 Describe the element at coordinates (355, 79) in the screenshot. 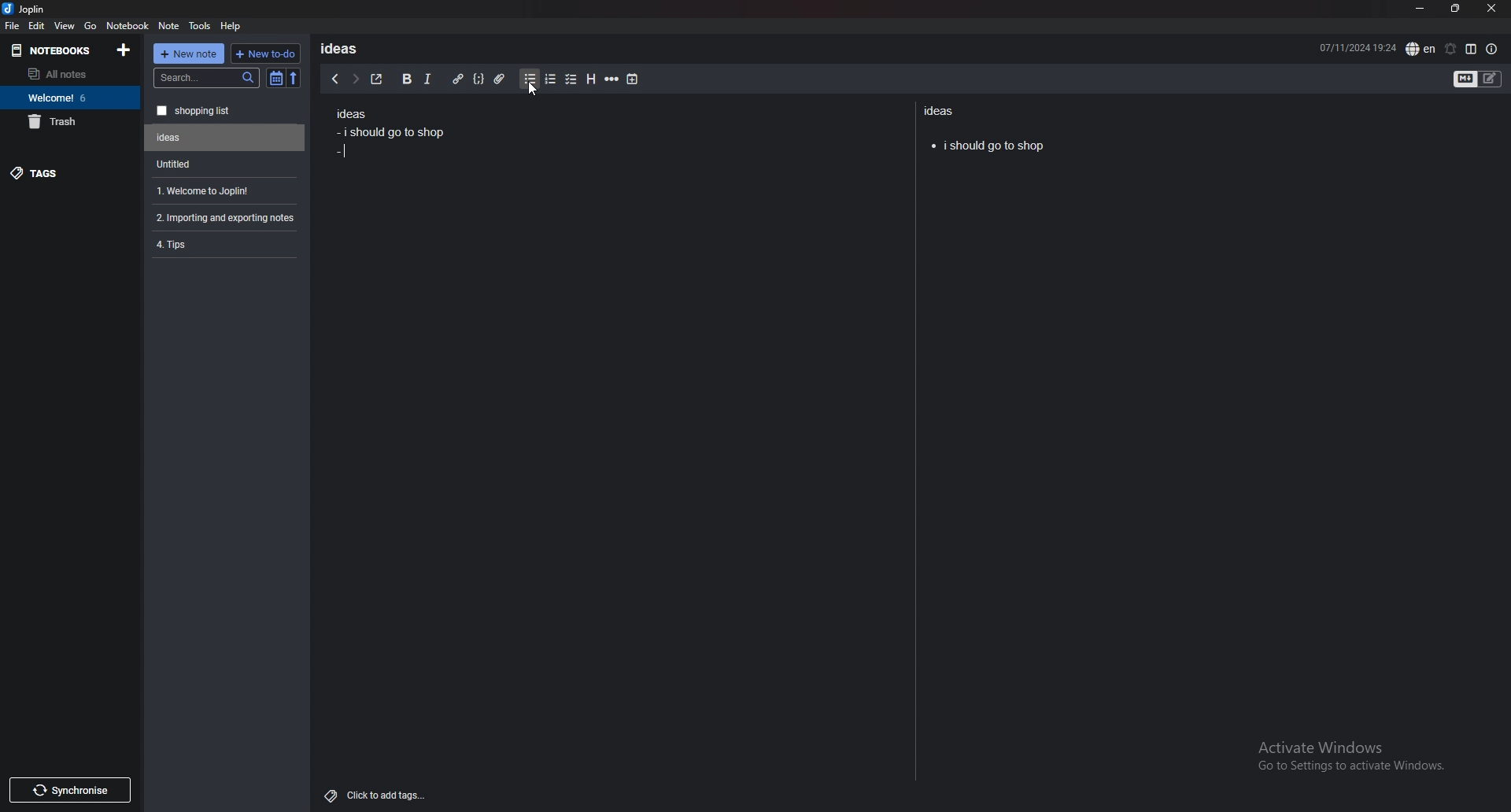

I see `next` at that location.